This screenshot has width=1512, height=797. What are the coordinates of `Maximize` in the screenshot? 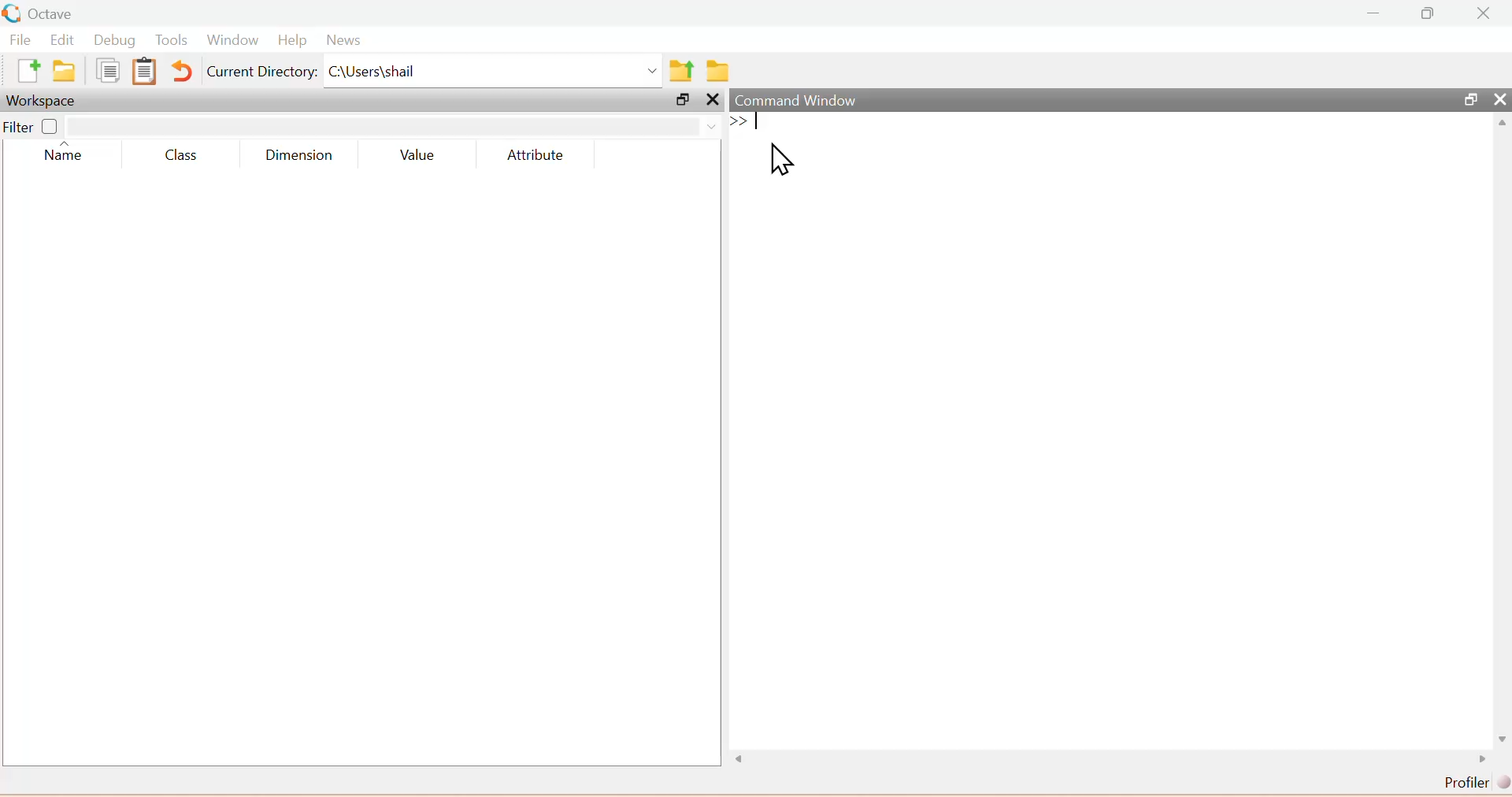 It's located at (680, 100).